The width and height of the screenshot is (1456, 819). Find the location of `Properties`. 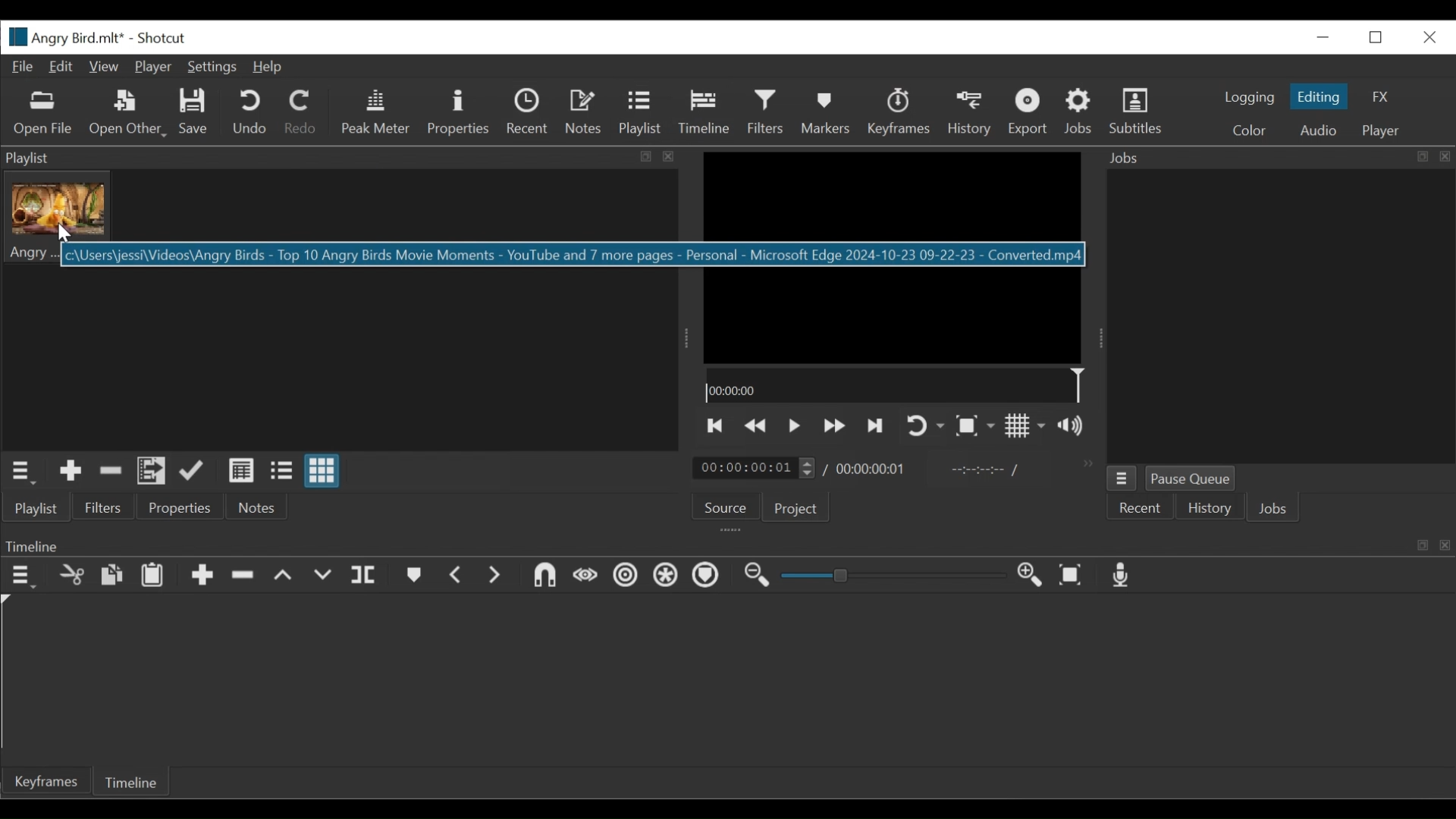

Properties is located at coordinates (461, 112).